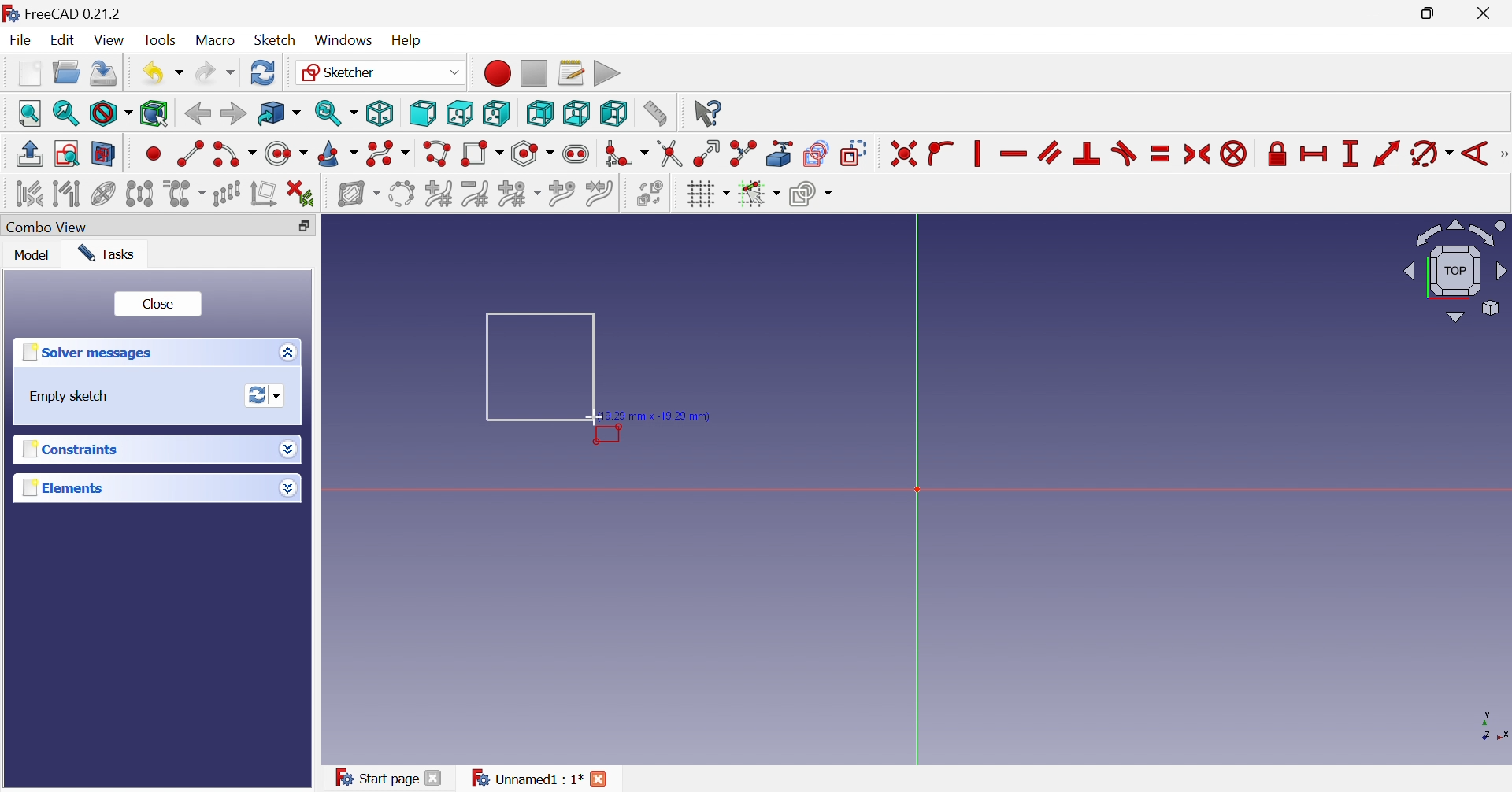 The image size is (1512, 792). I want to click on Modify knot multiplicity, so click(519, 195).